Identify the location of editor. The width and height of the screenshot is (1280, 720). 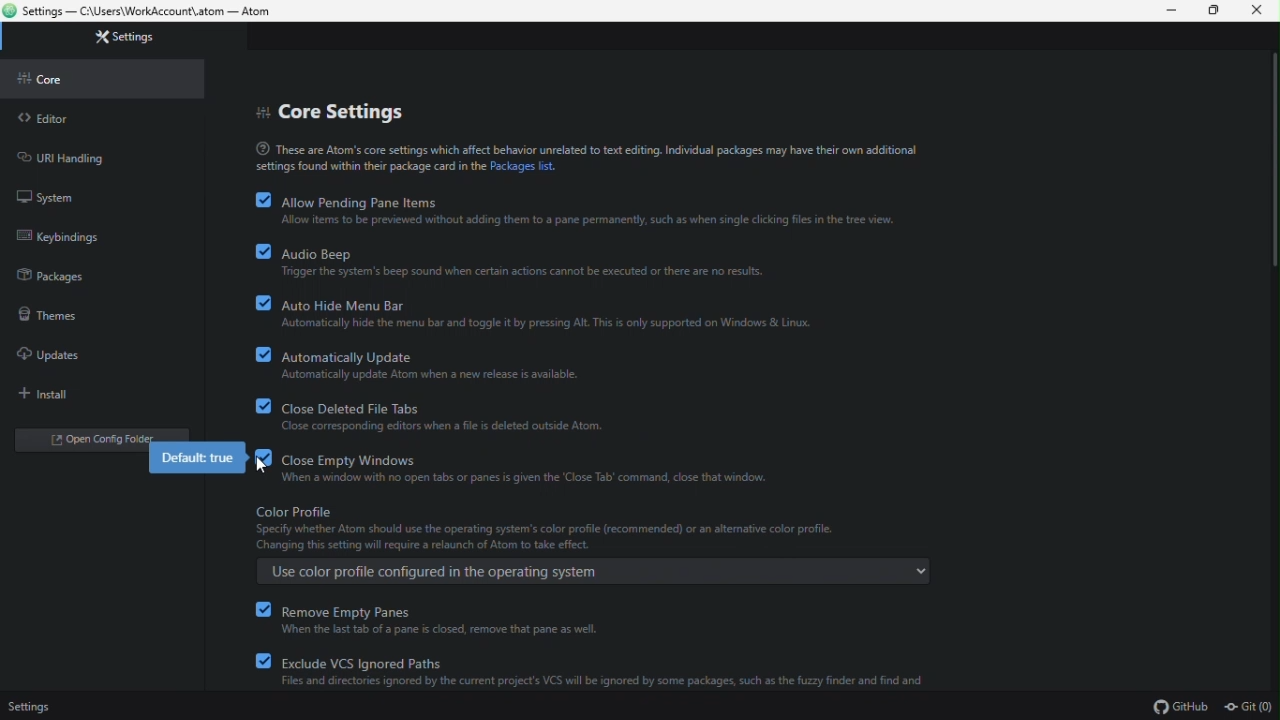
(48, 118).